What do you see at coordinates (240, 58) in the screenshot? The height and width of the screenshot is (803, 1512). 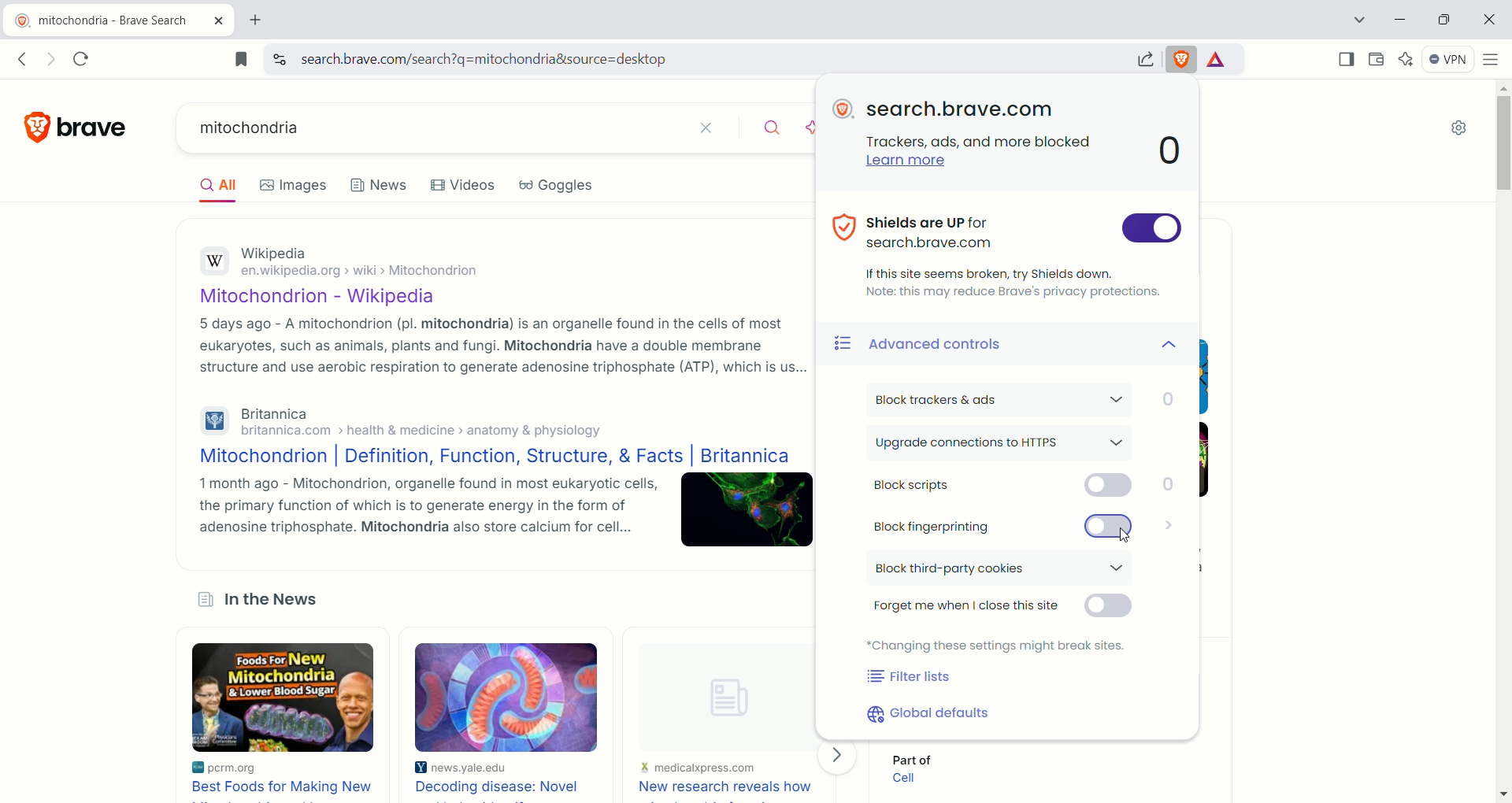 I see `bookmark` at bounding box center [240, 58].